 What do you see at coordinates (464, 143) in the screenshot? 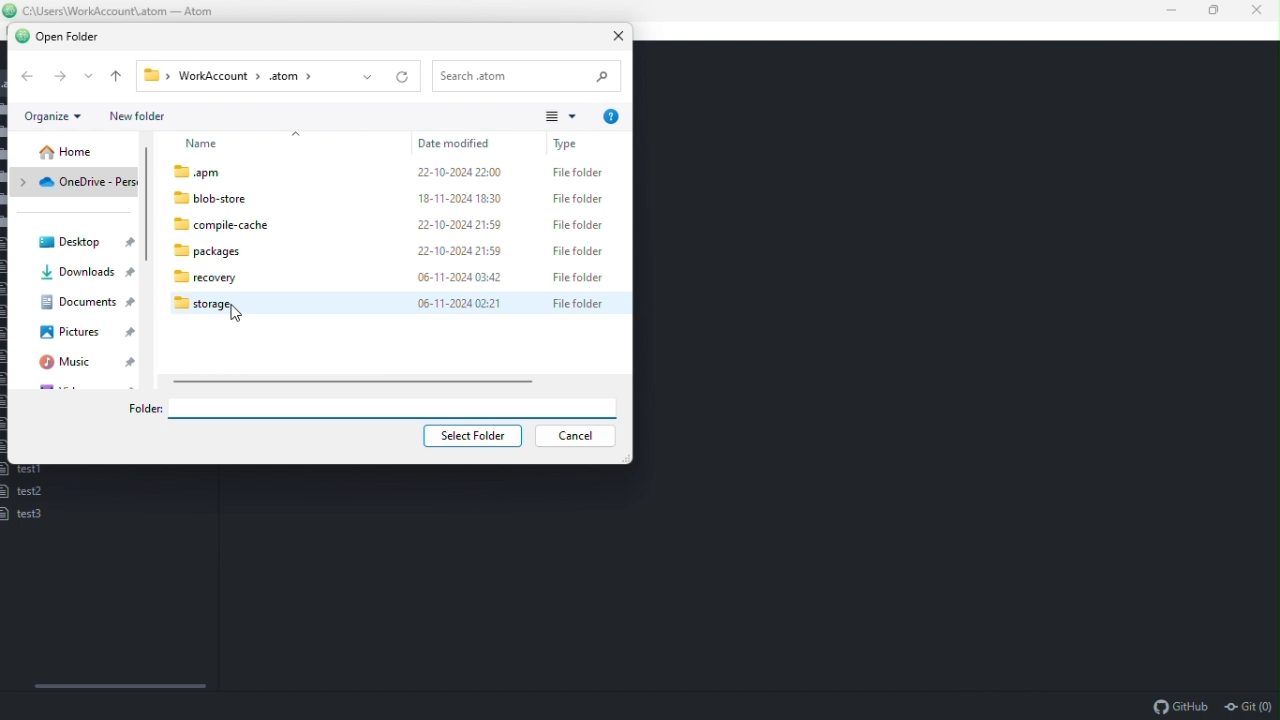
I see `Date modified` at bounding box center [464, 143].